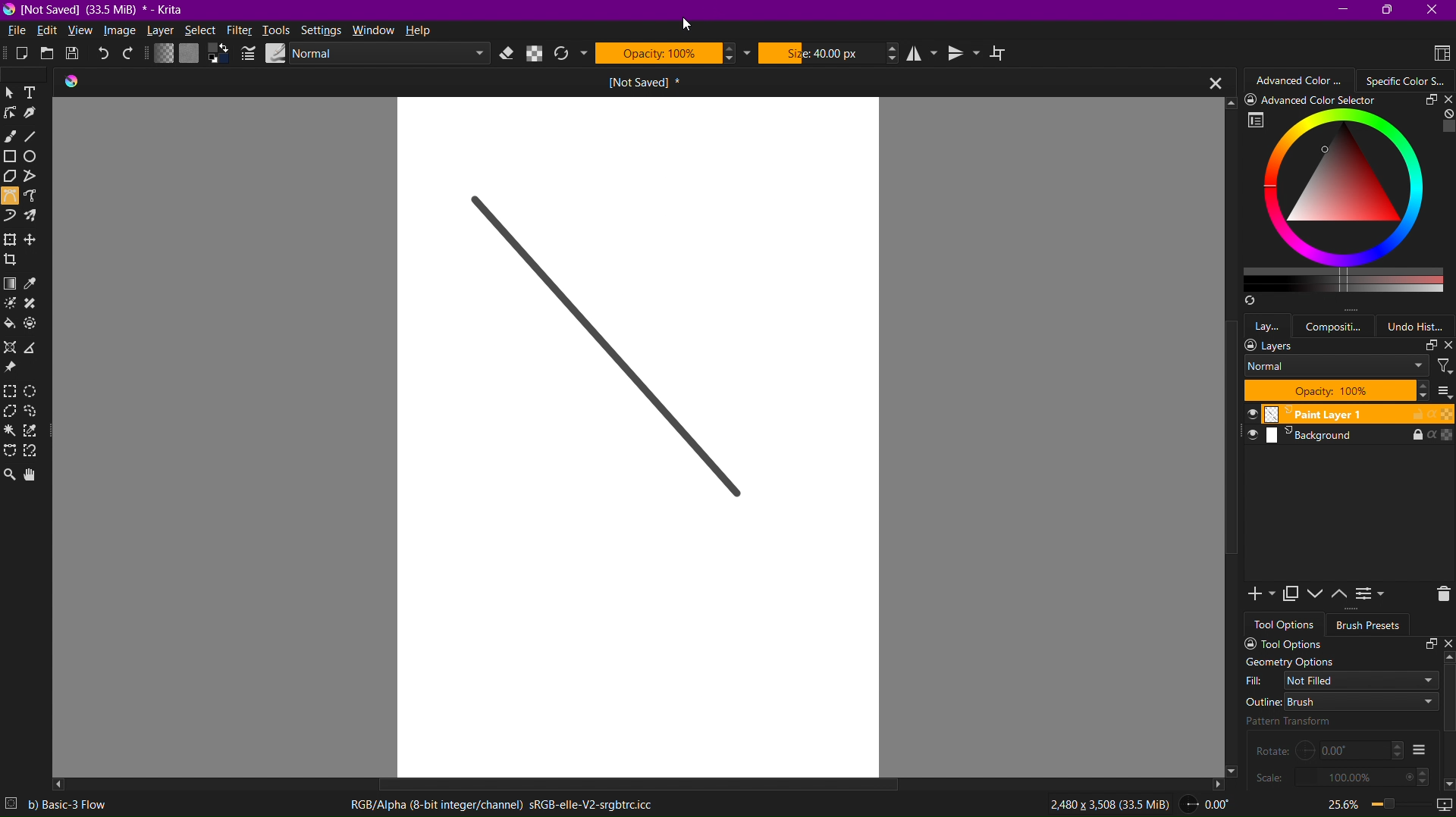 This screenshot has width=1456, height=817. What do you see at coordinates (1372, 596) in the screenshot?
I see `View or Change Layer Properties` at bounding box center [1372, 596].